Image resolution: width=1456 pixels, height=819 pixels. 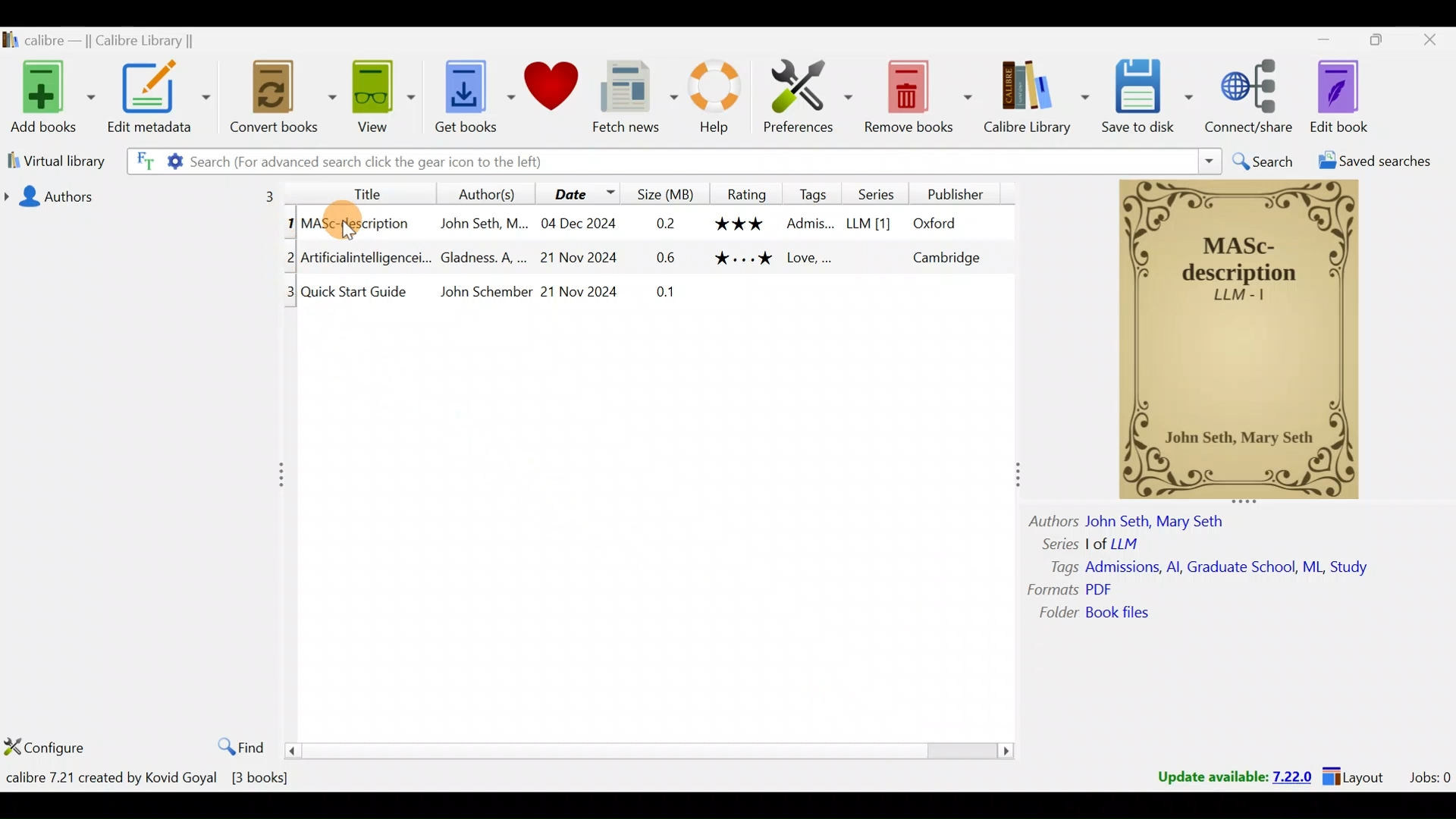 What do you see at coordinates (665, 191) in the screenshot?
I see `Size` at bounding box center [665, 191].